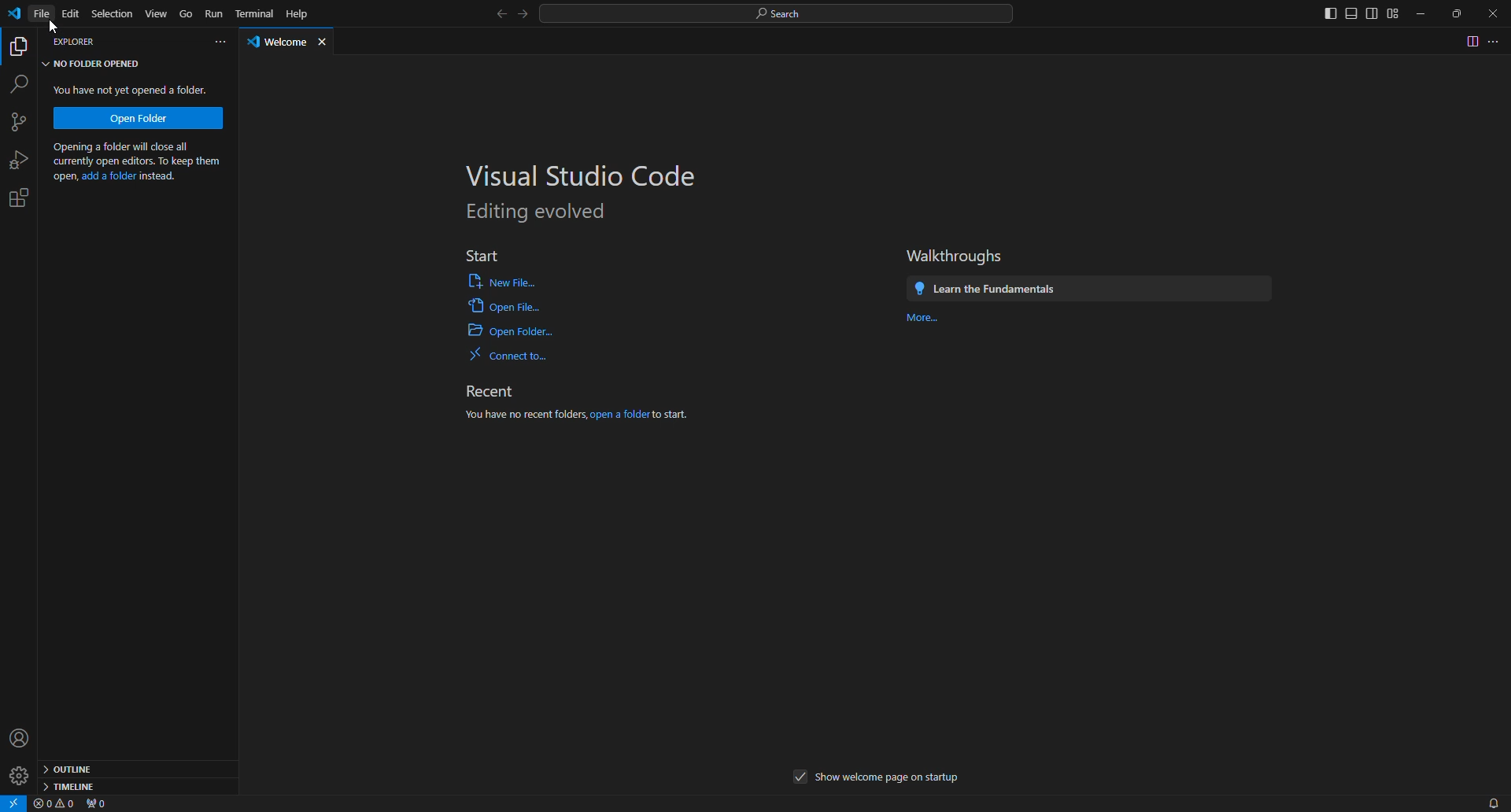  Describe the element at coordinates (1494, 15) in the screenshot. I see `close` at that location.